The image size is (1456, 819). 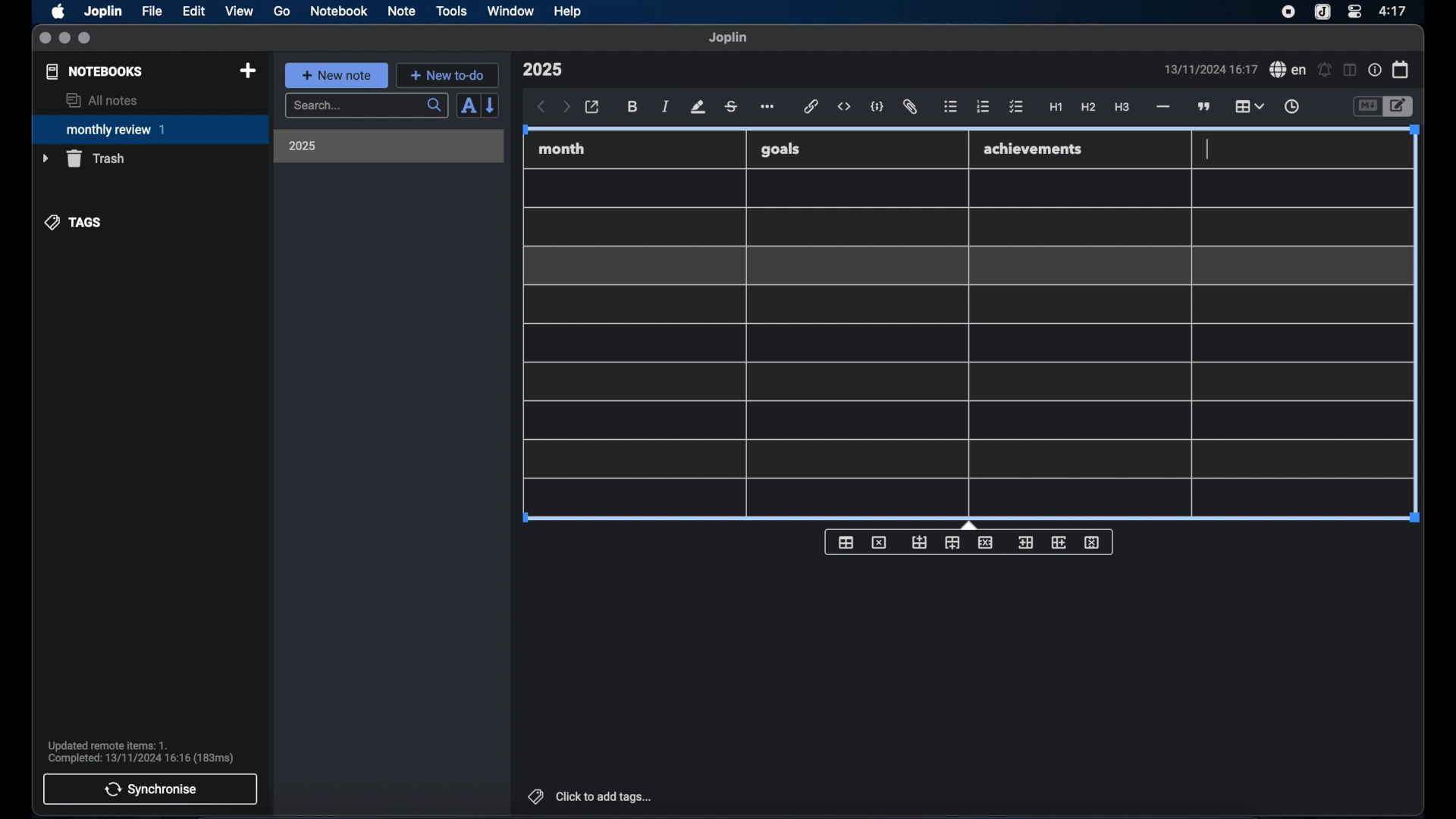 What do you see at coordinates (247, 71) in the screenshot?
I see `new notebook` at bounding box center [247, 71].